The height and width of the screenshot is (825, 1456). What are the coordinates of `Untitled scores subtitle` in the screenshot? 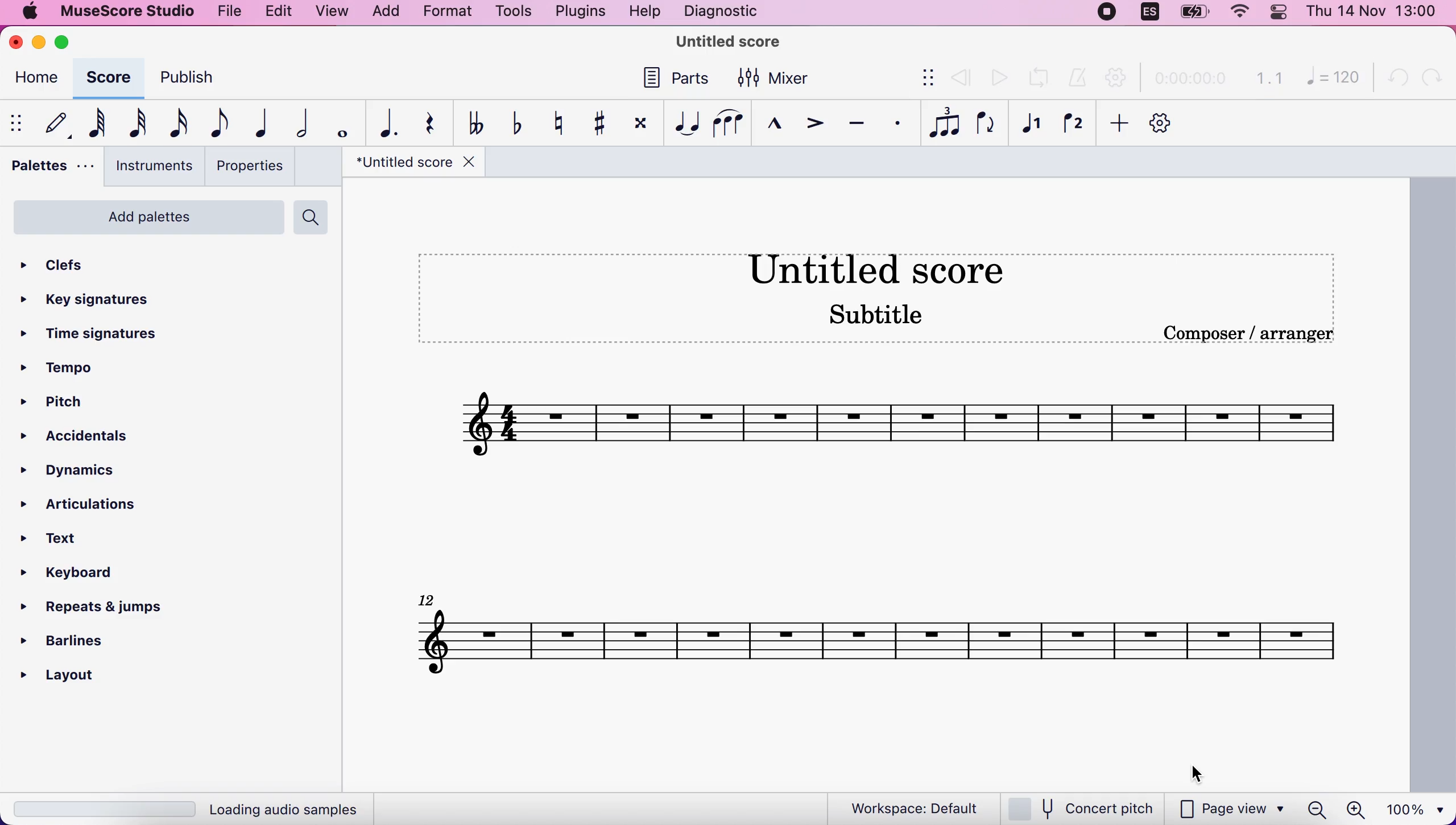 It's located at (899, 291).